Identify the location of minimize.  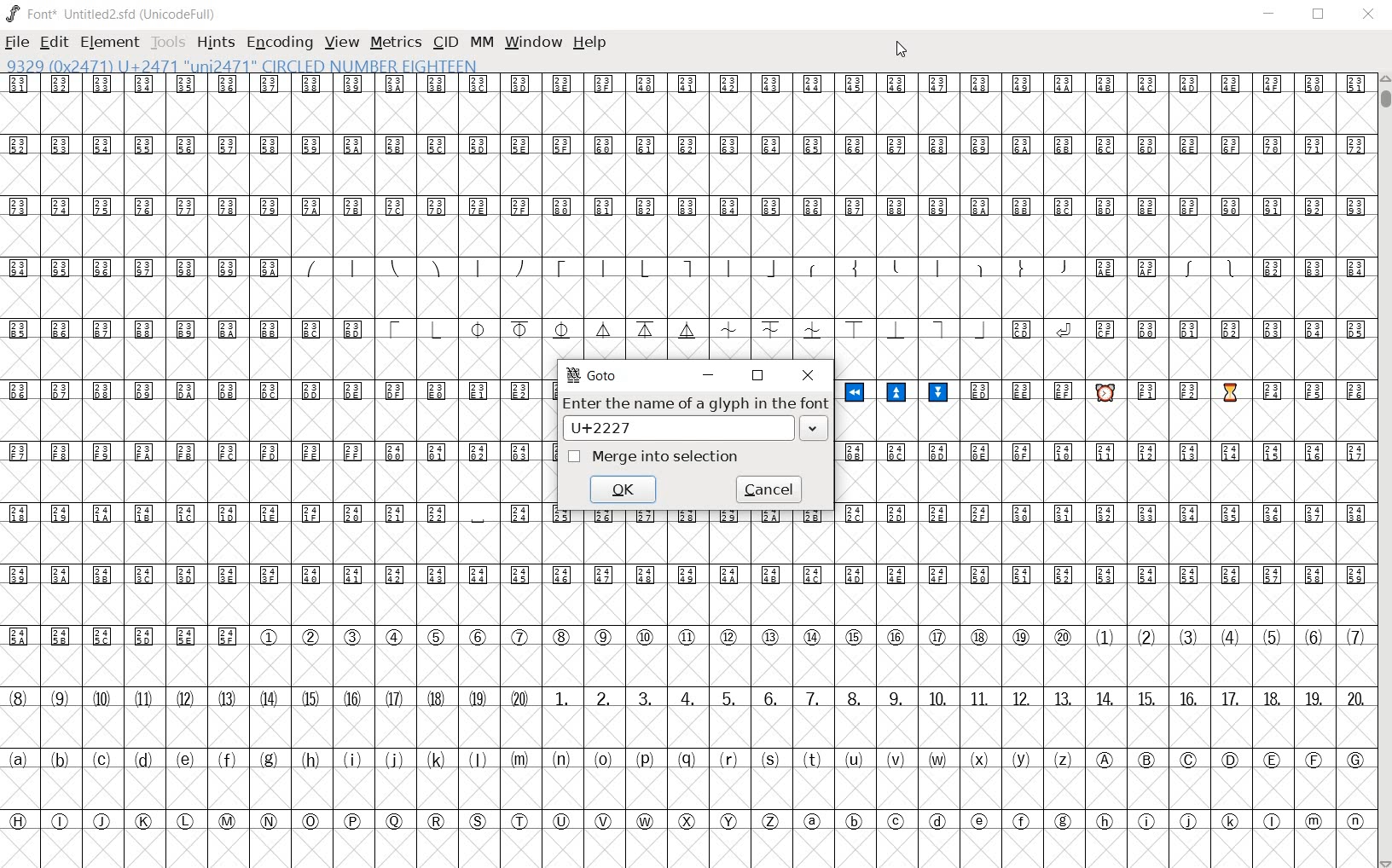
(710, 373).